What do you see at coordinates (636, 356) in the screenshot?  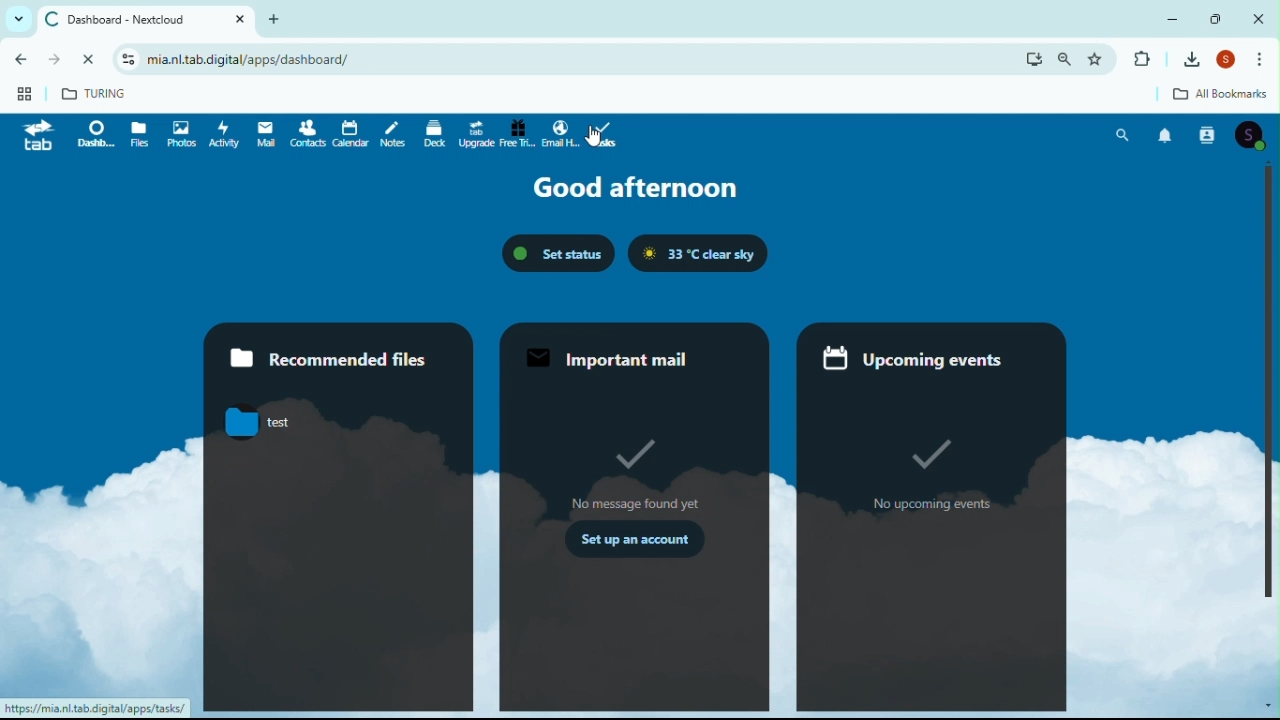 I see `Important mail` at bounding box center [636, 356].